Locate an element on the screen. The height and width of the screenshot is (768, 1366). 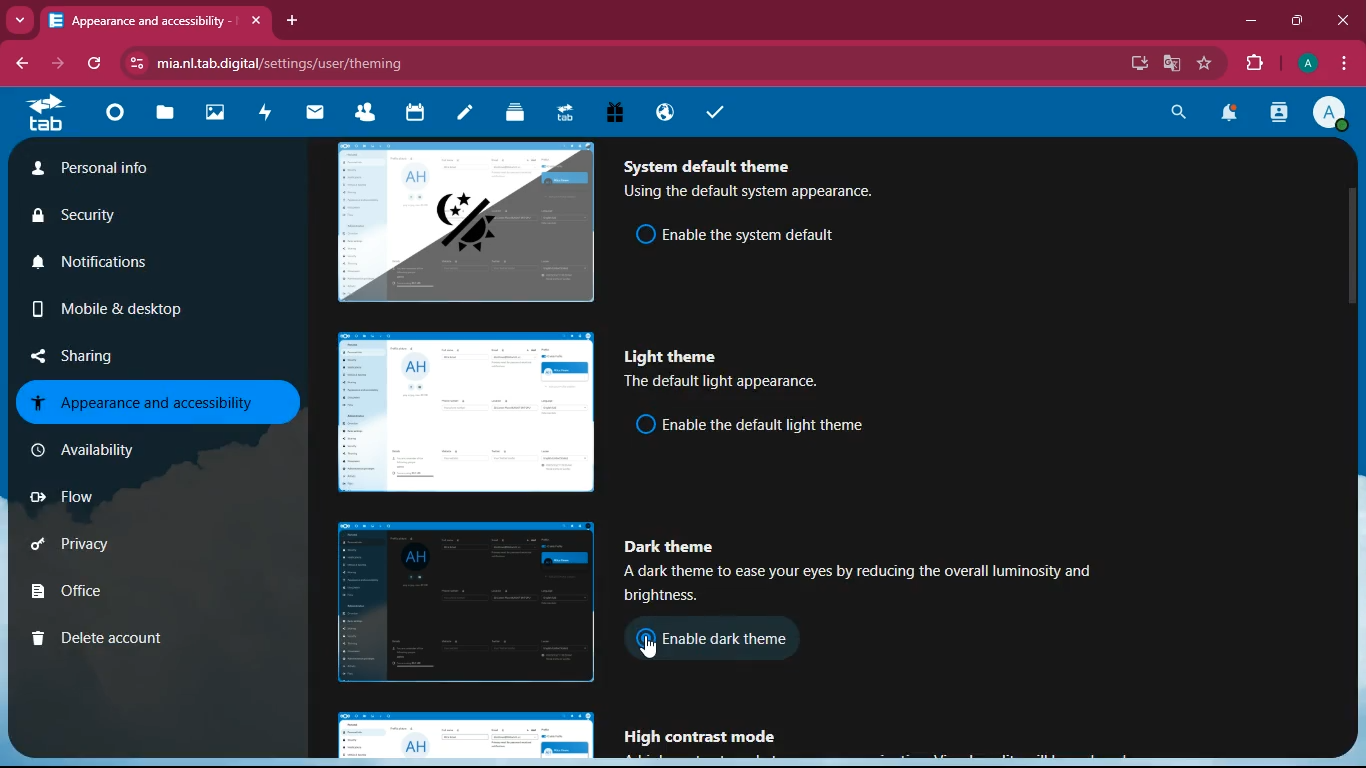
refresh is located at coordinates (95, 64).